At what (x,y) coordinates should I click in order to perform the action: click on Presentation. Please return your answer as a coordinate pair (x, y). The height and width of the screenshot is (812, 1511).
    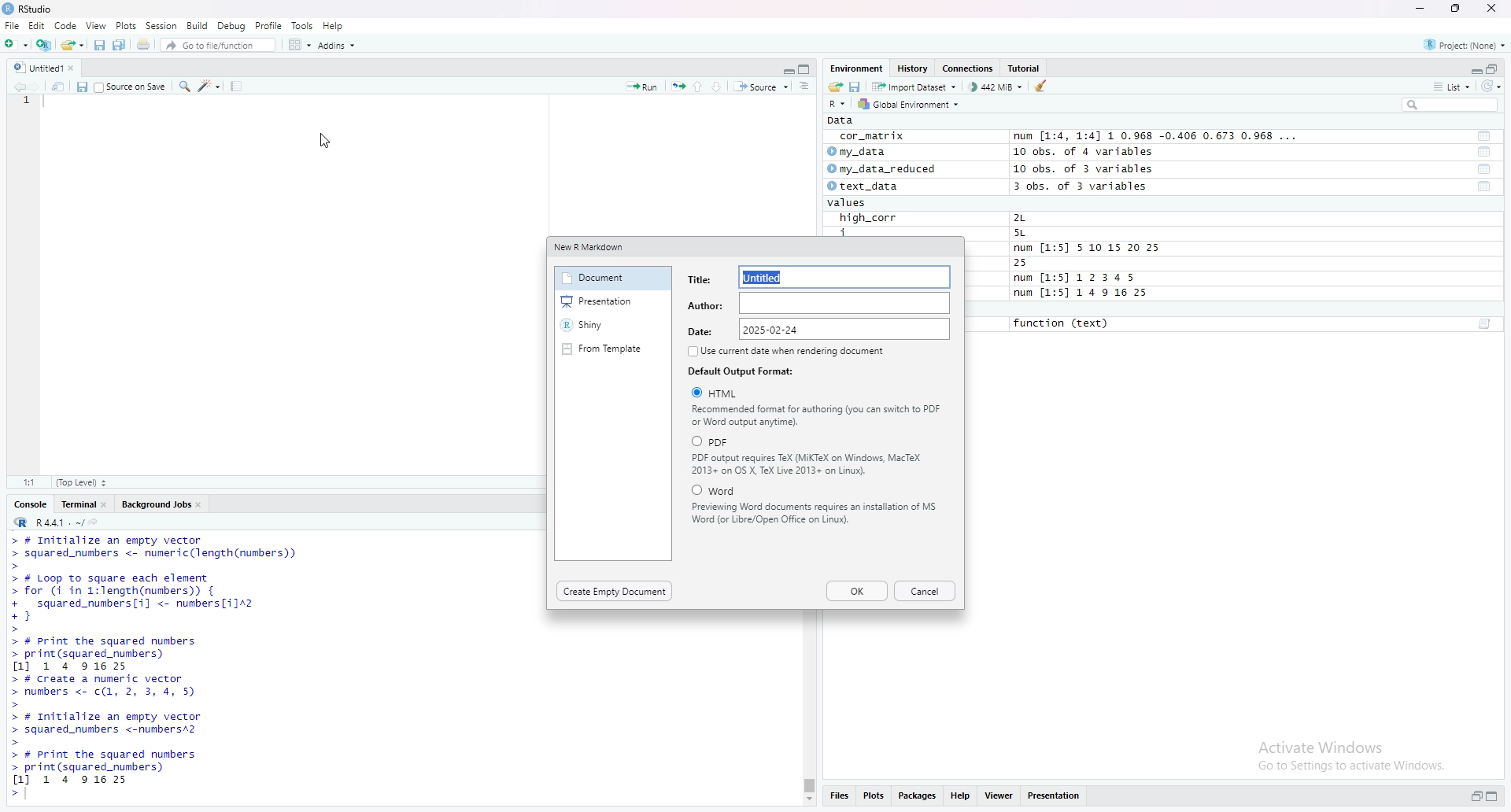
    Looking at the image, I should click on (611, 301).